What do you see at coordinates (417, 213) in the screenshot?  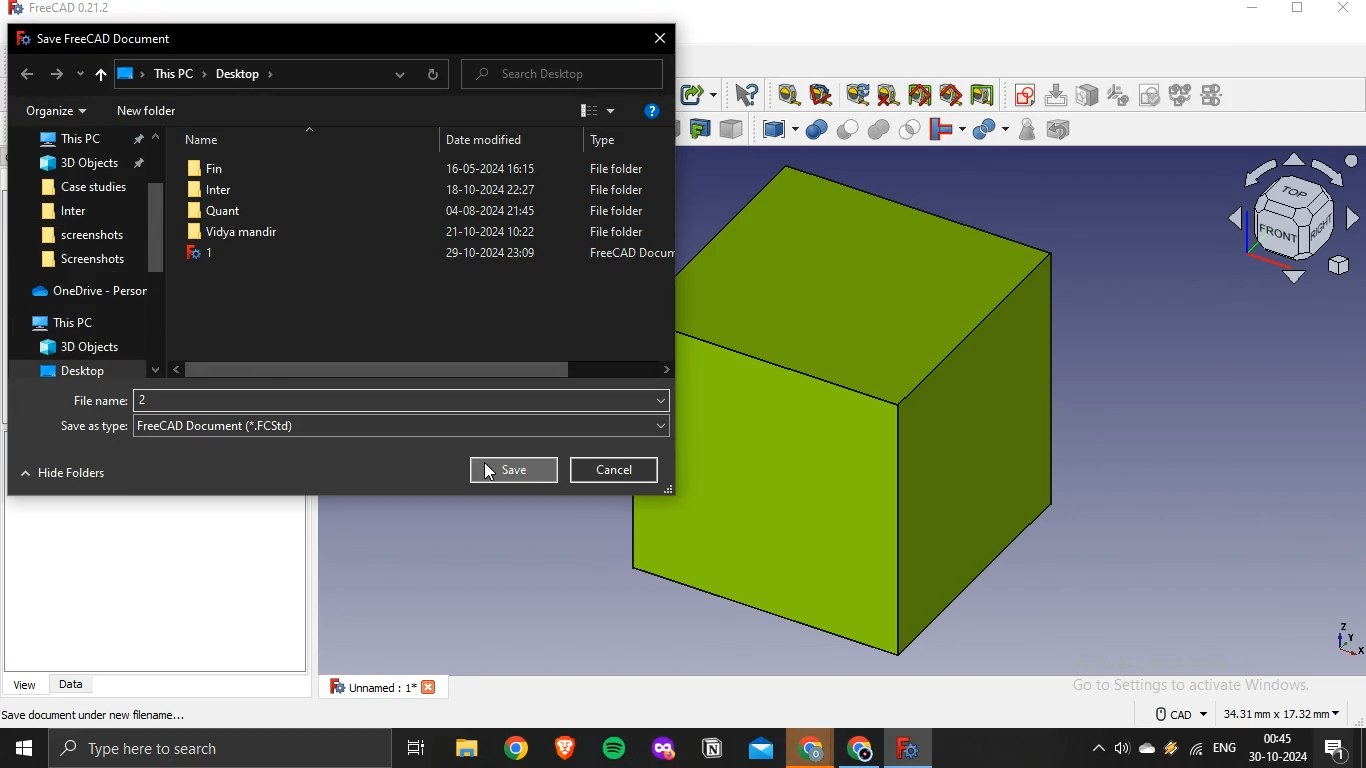 I see `Quant` at bounding box center [417, 213].